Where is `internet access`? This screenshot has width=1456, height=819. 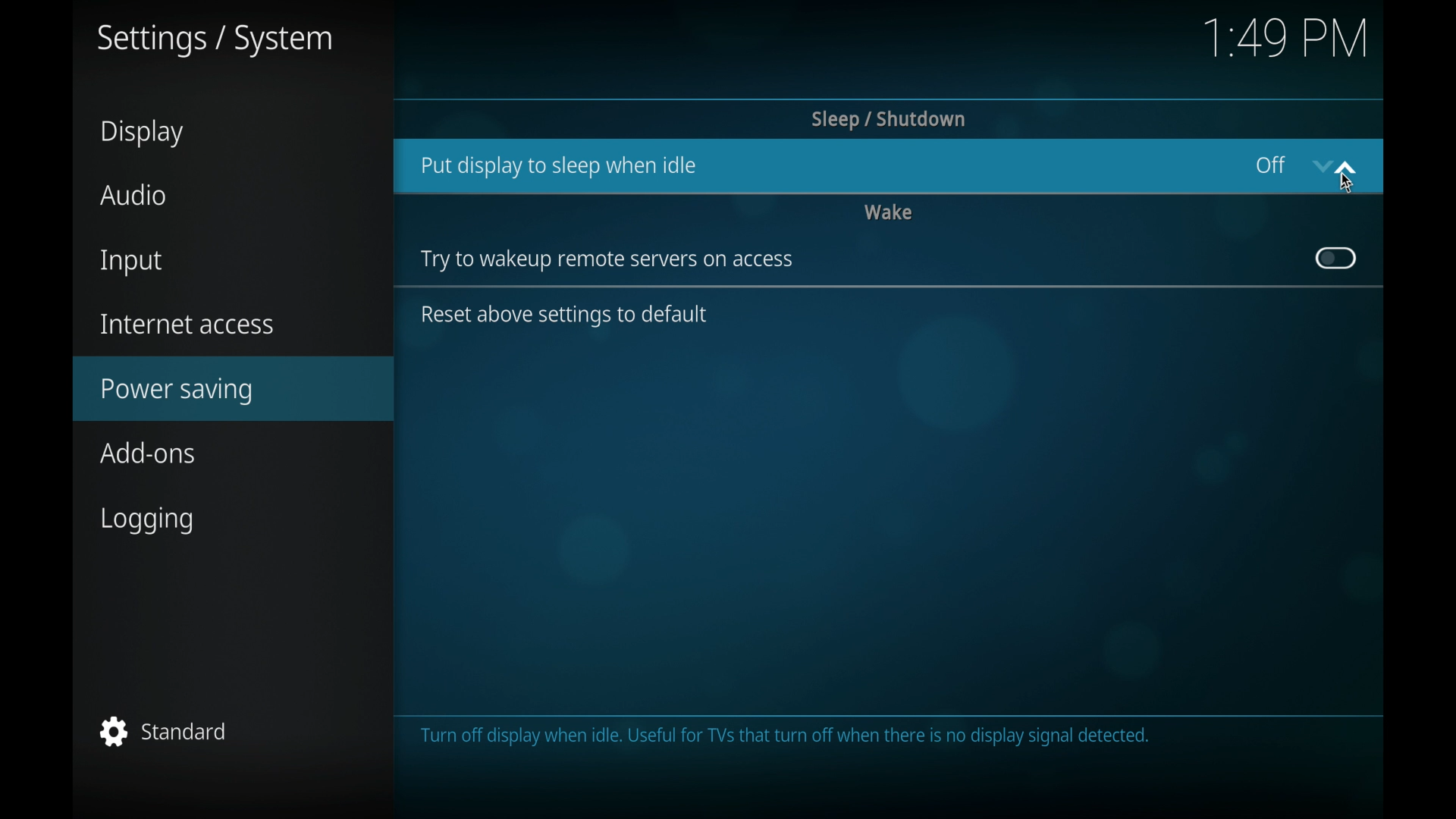
internet access is located at coordinates (187, 323).